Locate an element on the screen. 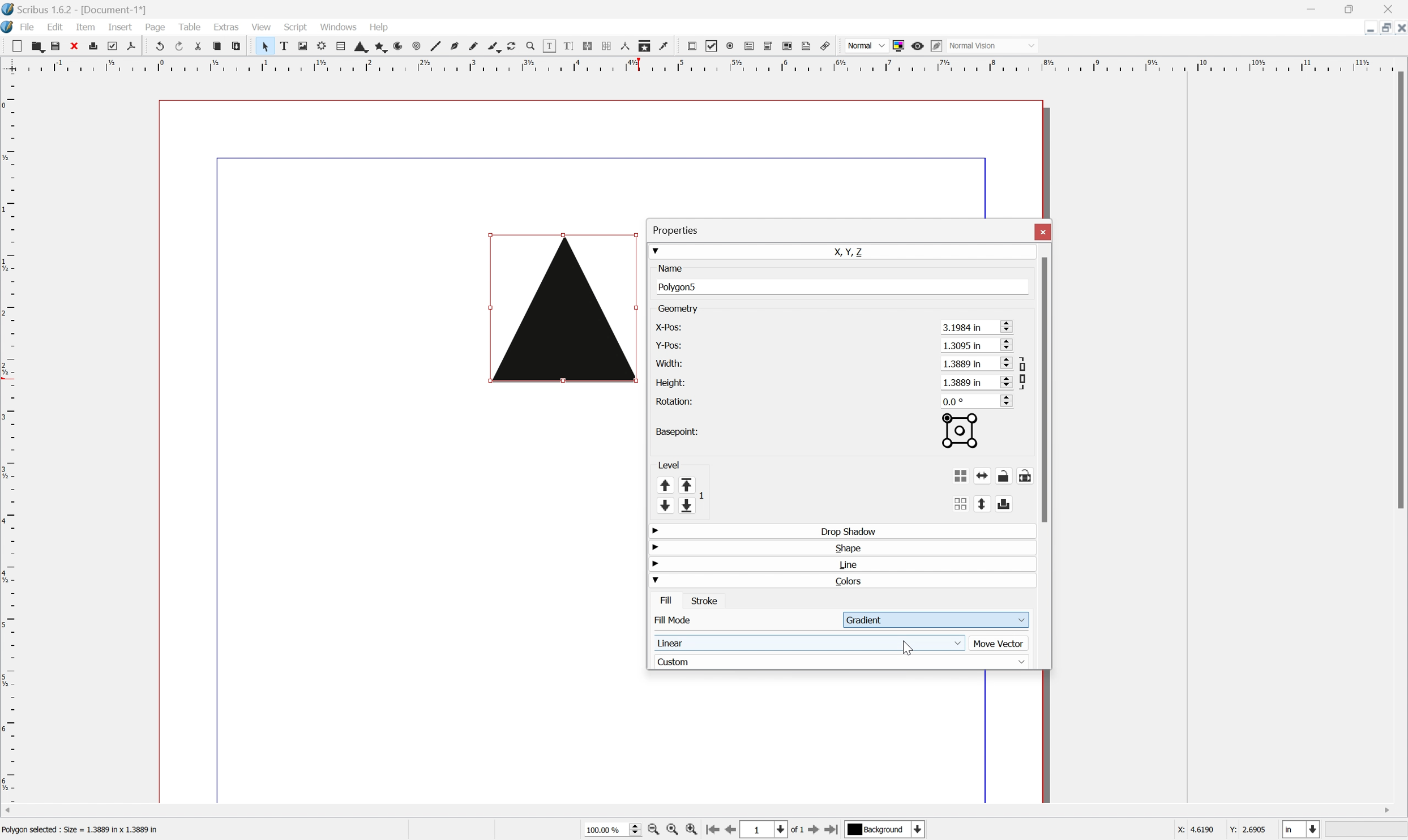  Scroll Right is located at coordinates (1384, 811).